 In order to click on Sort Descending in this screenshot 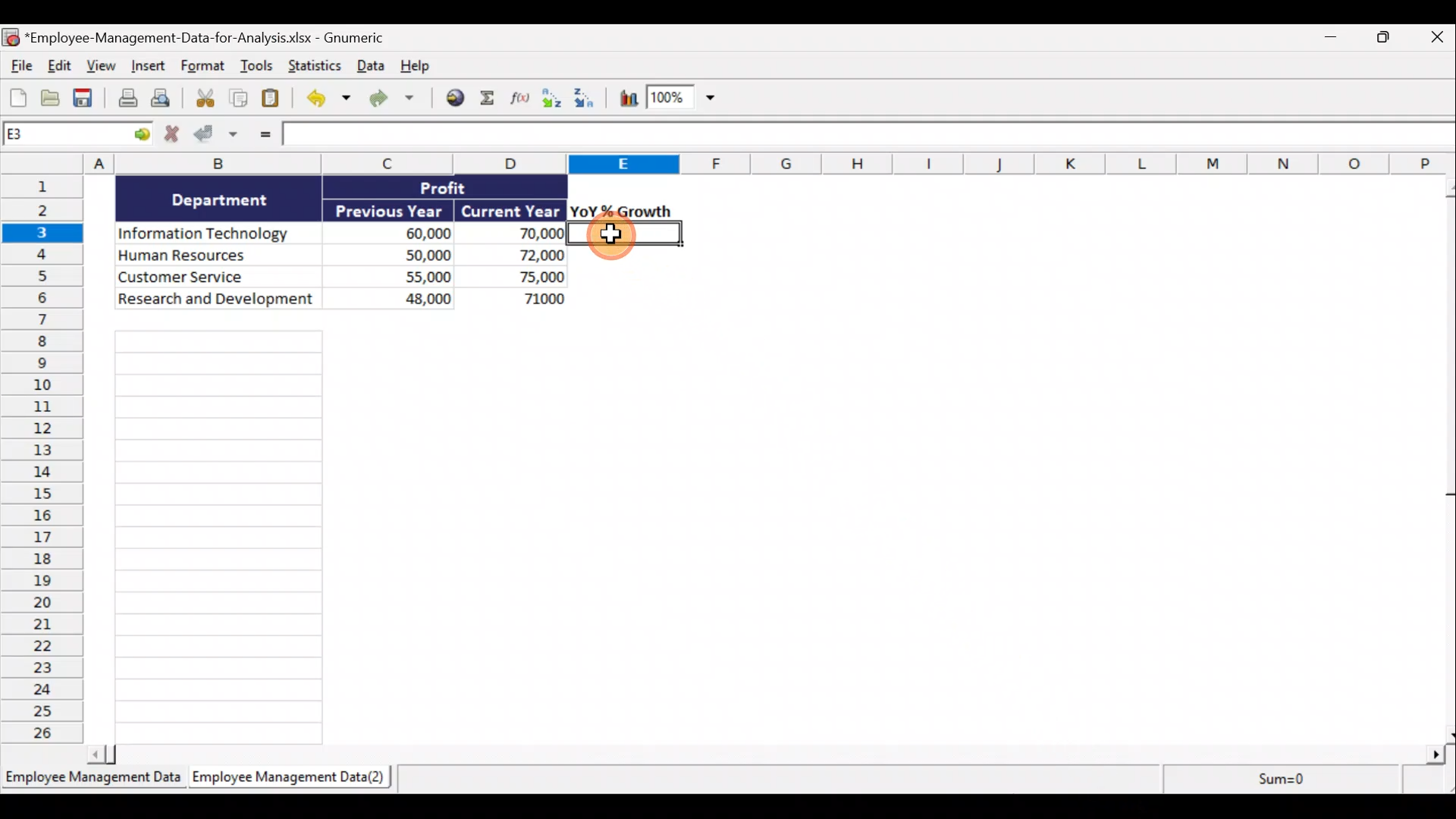, I will do `click(587, 100)`.